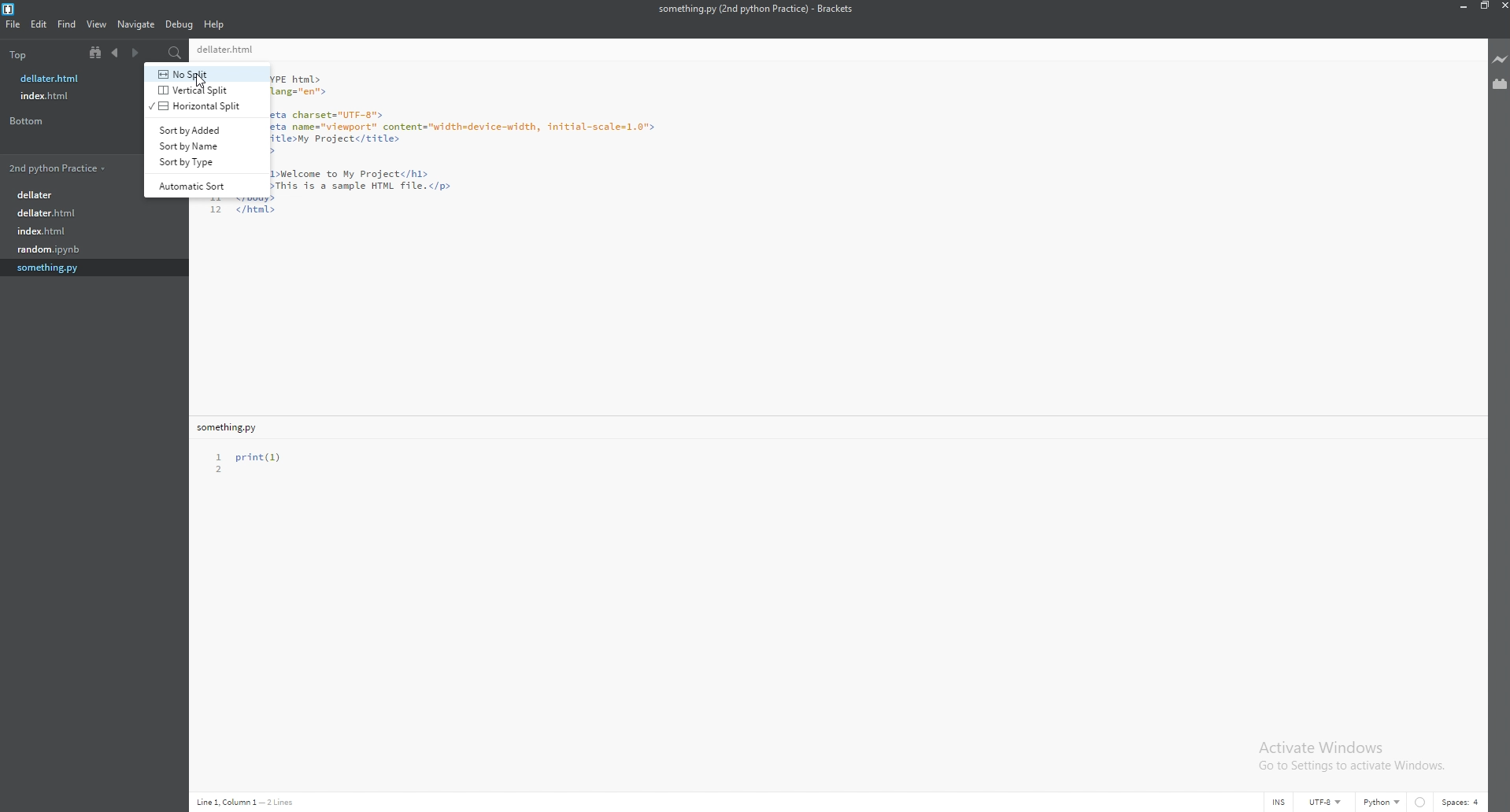 Image resolution: width=1510 pixels, height=812 pixels. I want to click on search, so click(174, 53).